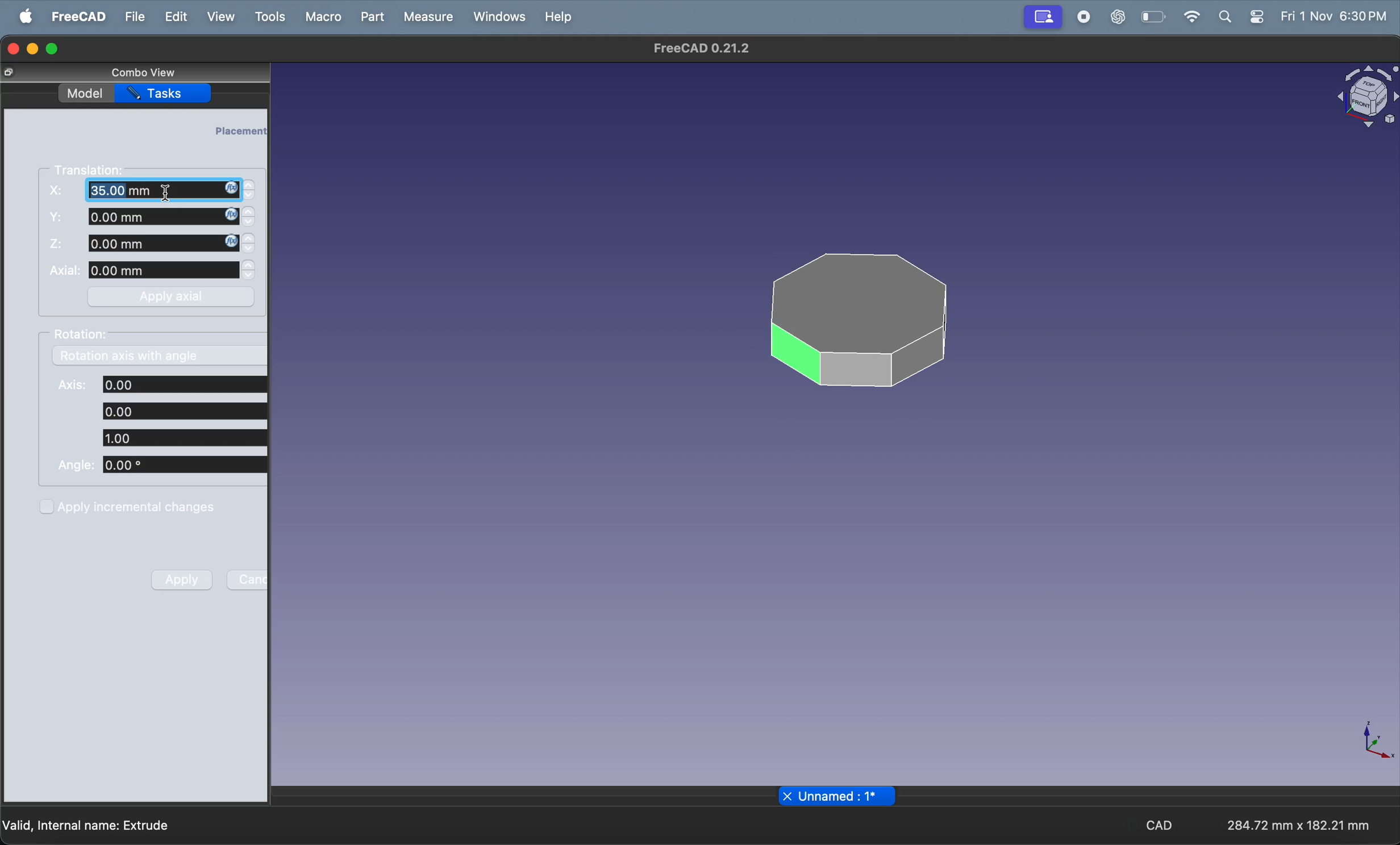  What do you see at coordinates (1151, 17) in the screenshot?
I see `battery` at bounding box center [1151, 17].